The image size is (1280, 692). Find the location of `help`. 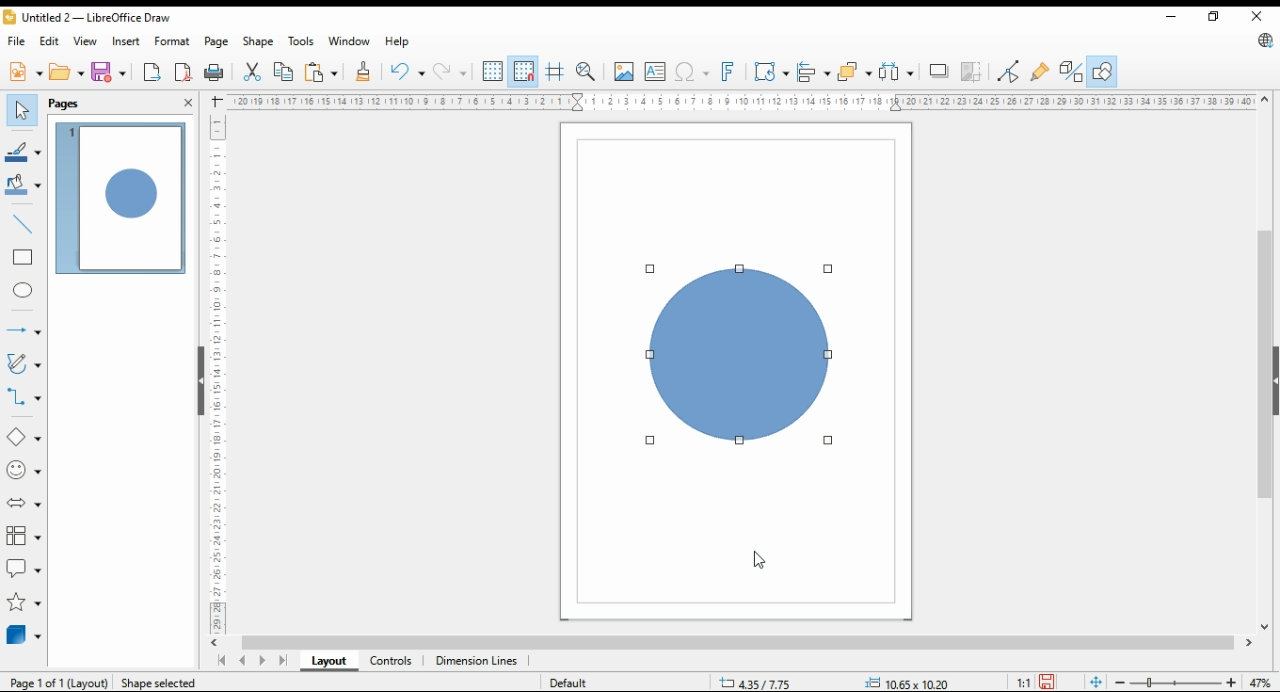

help is located at coordinates (400, 42).